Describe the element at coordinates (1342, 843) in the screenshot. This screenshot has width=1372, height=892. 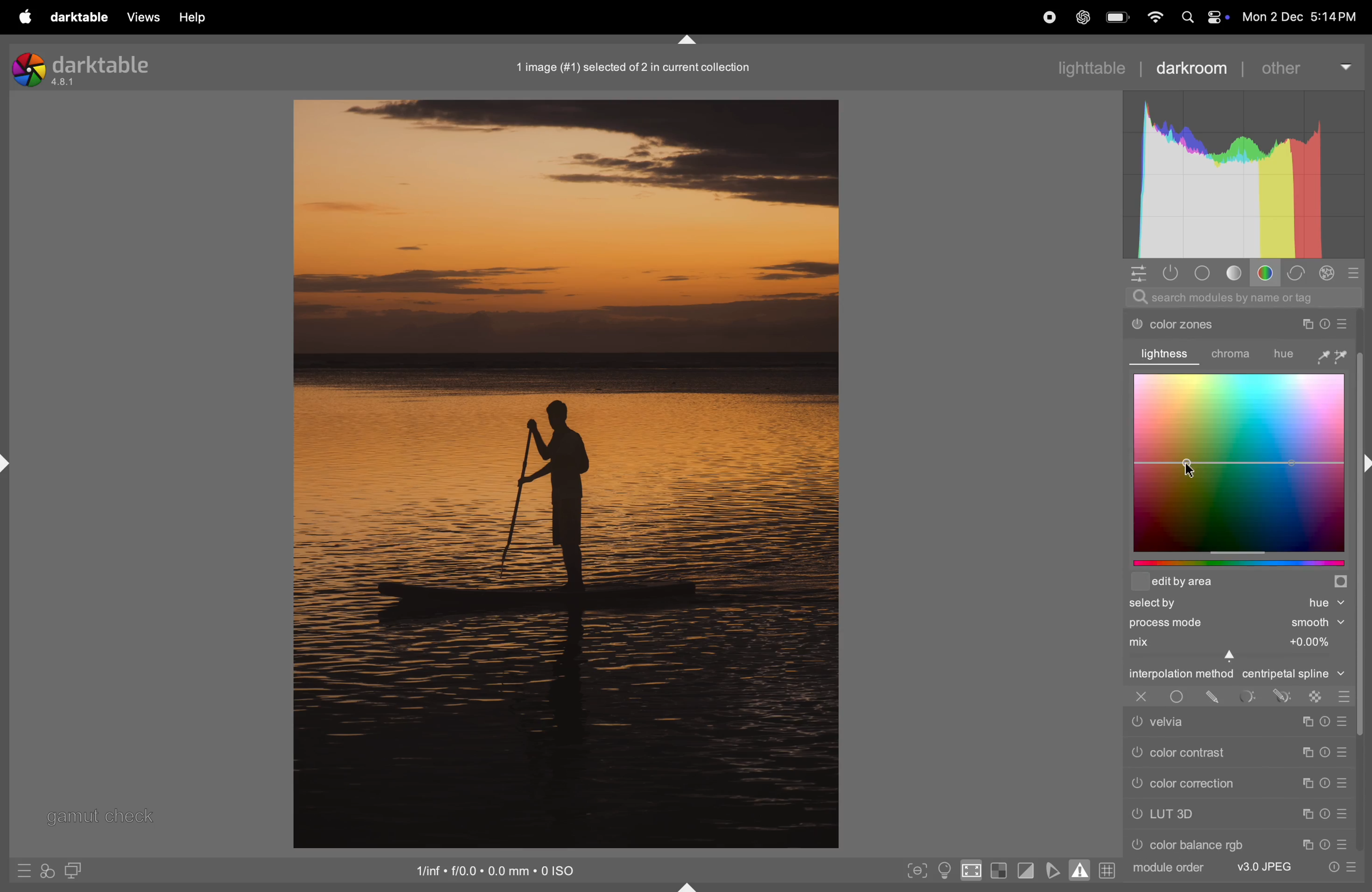
I see `preset` at that location.